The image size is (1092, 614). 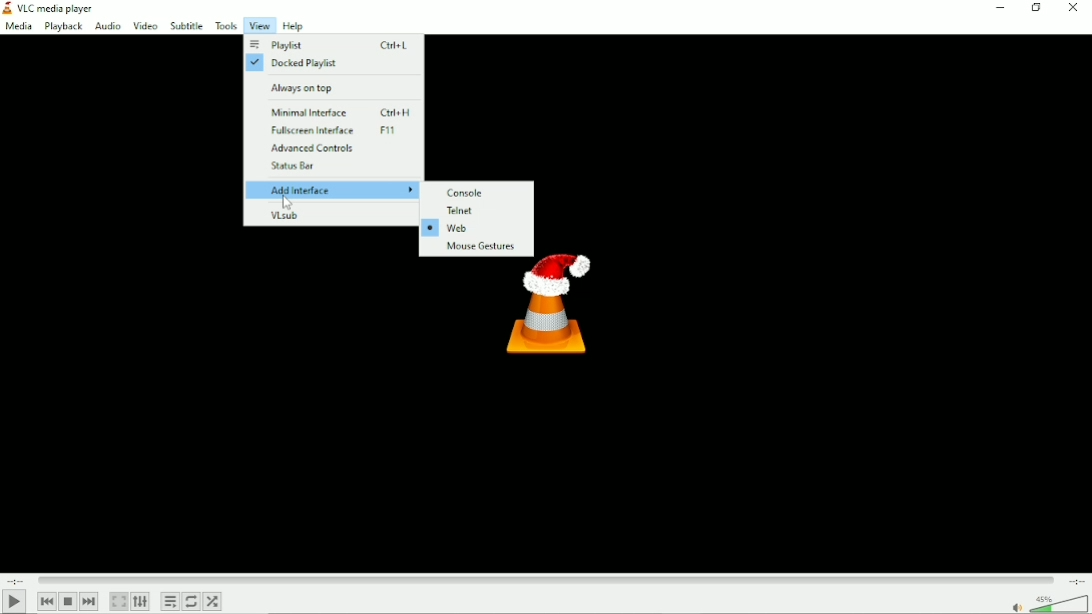 What do you see at coordinates (470, 192) in the screenshot?
I see `Console` at bounding box center [470, 192].